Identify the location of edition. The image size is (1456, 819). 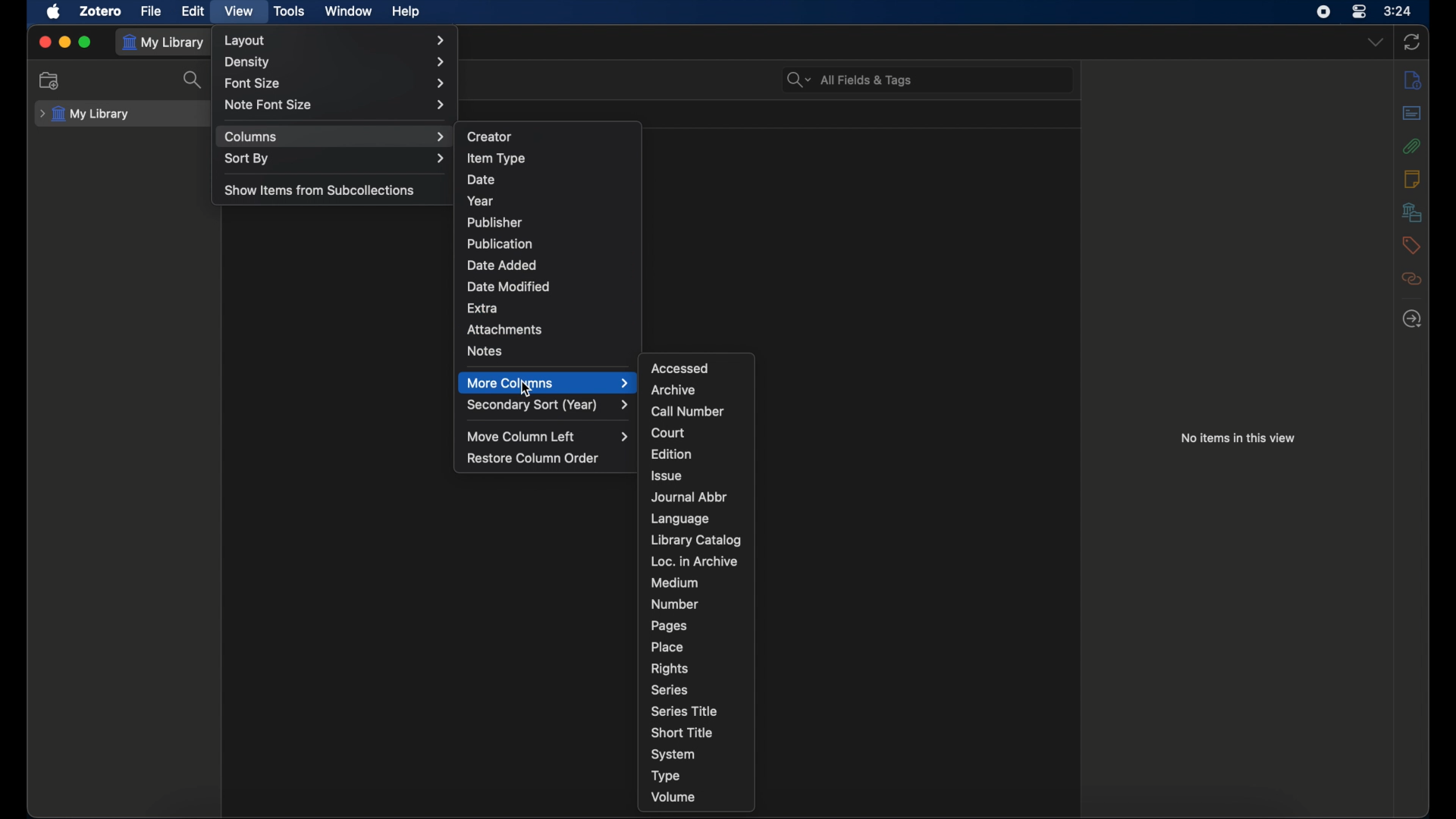
(672, 453).